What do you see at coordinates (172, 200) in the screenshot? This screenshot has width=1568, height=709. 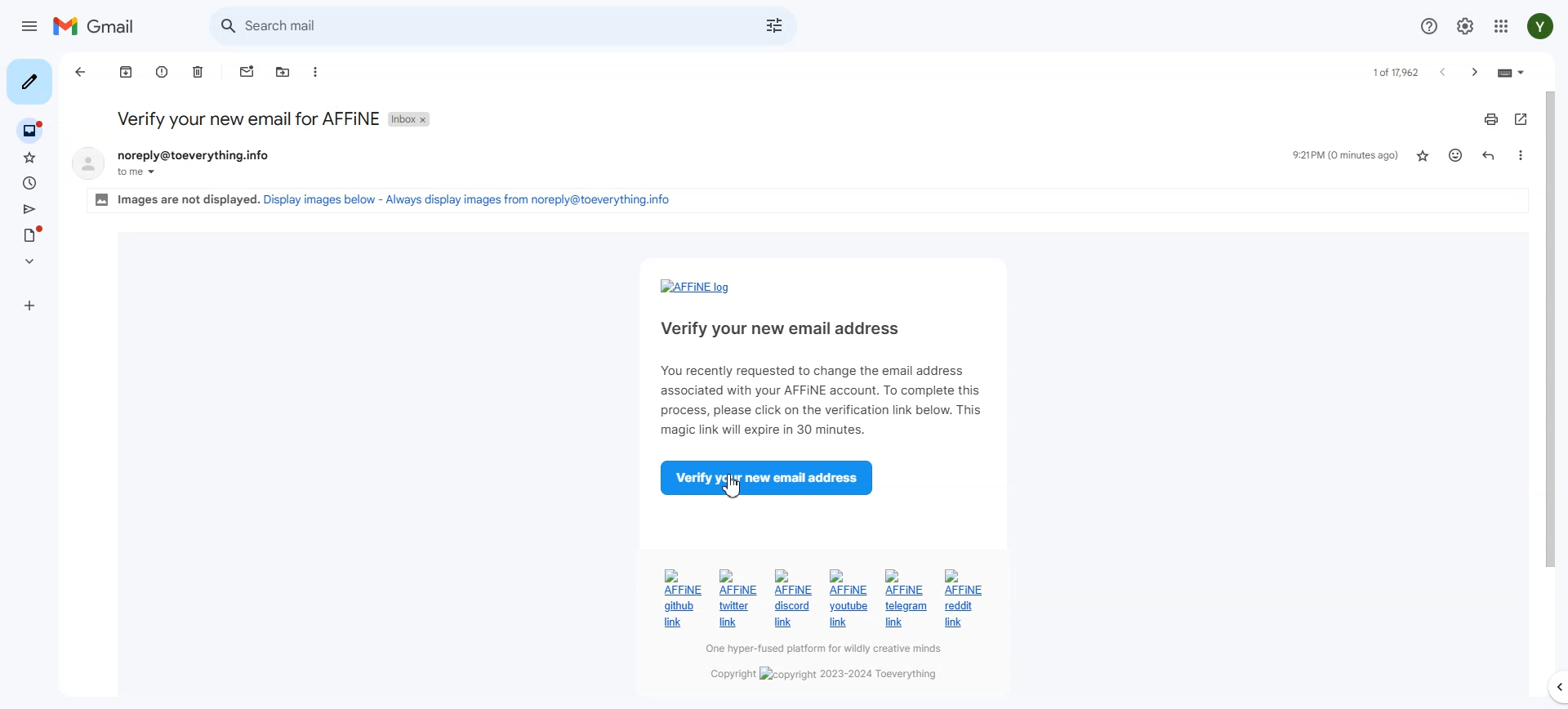 I see `images are displayed` at bounding box center [172, 200].